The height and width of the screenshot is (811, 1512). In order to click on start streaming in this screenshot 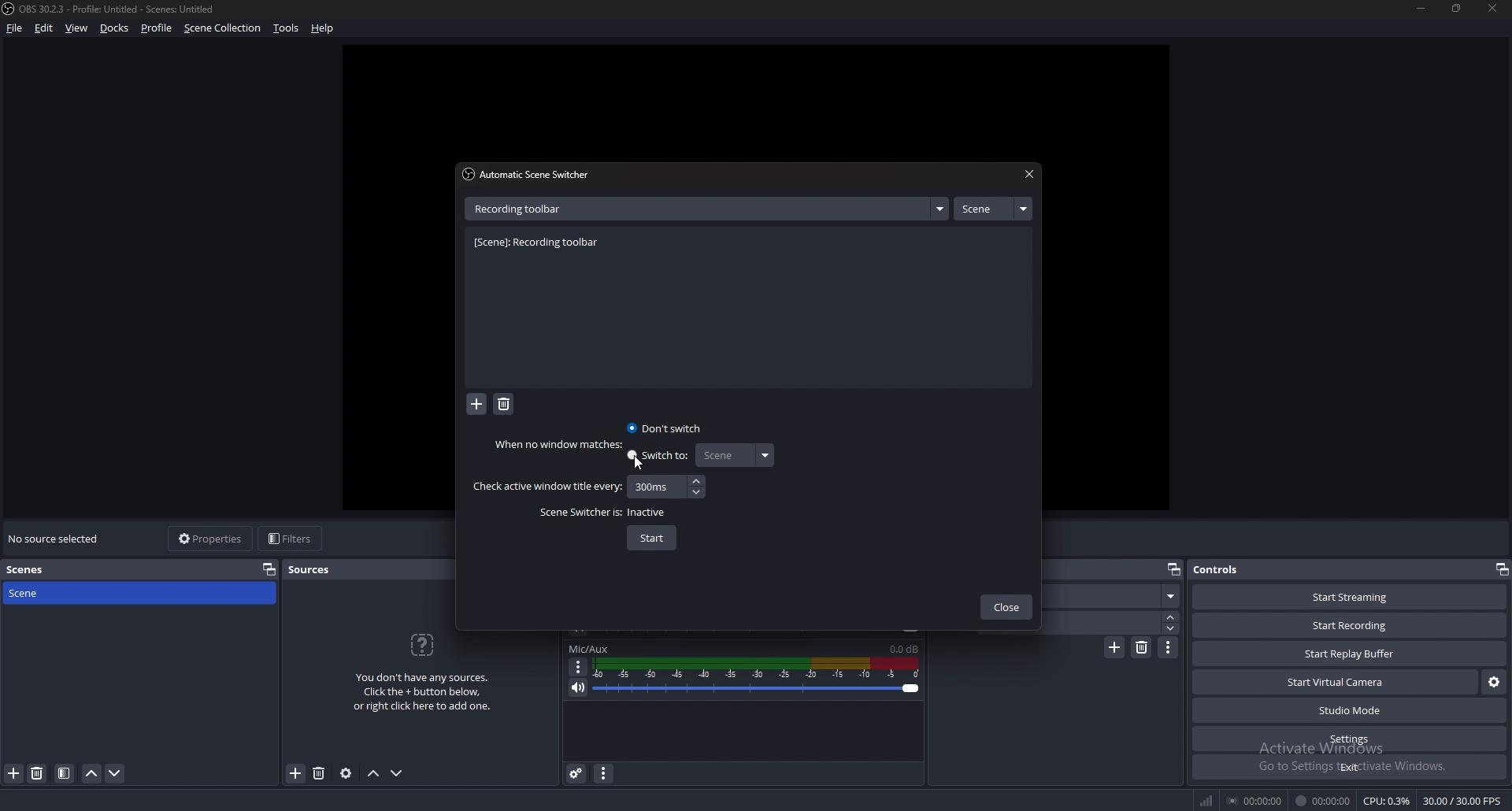, I will do `click(1351, 597)`.